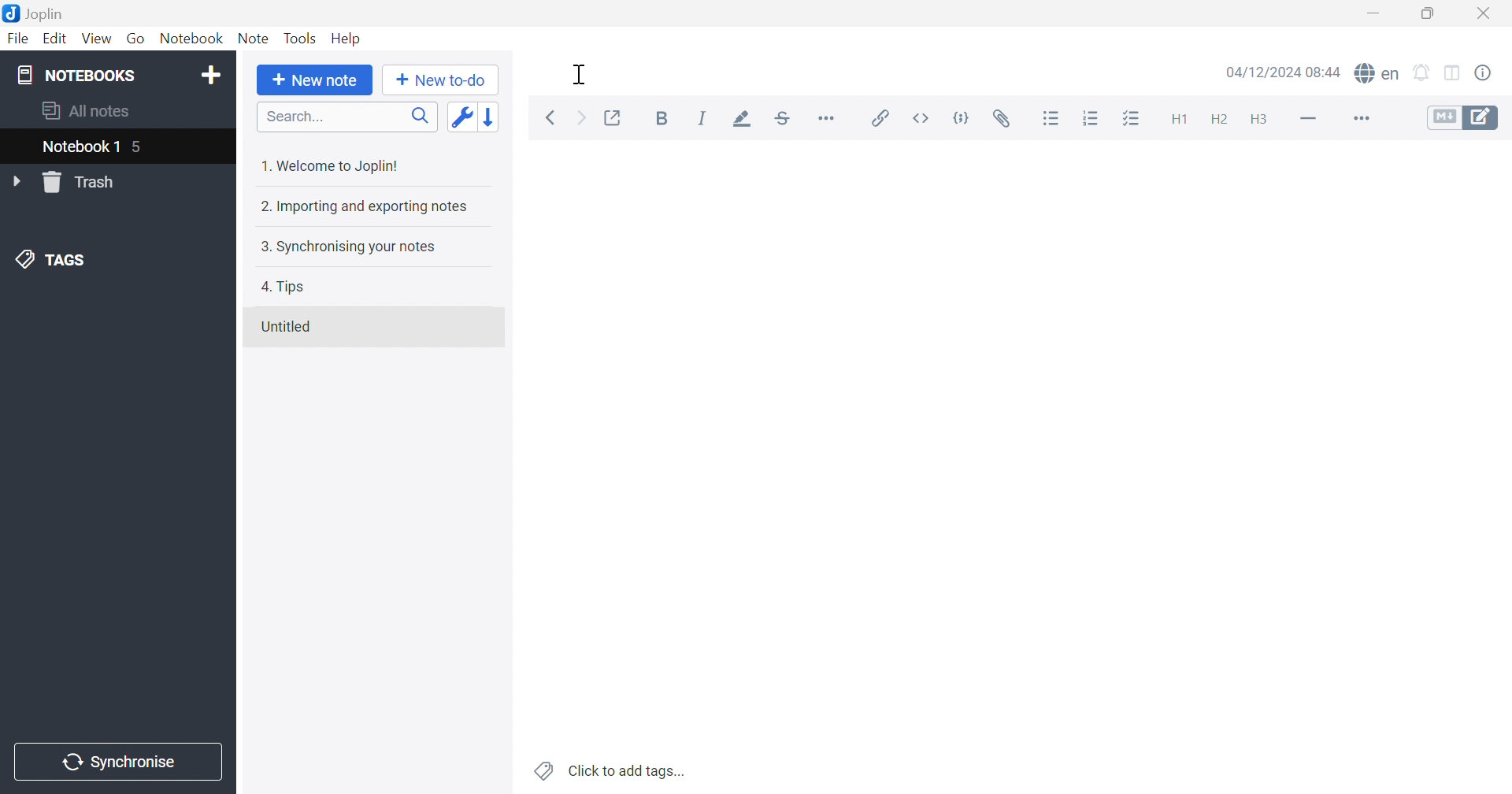  I want to click on Untitled, so click(291, 327).